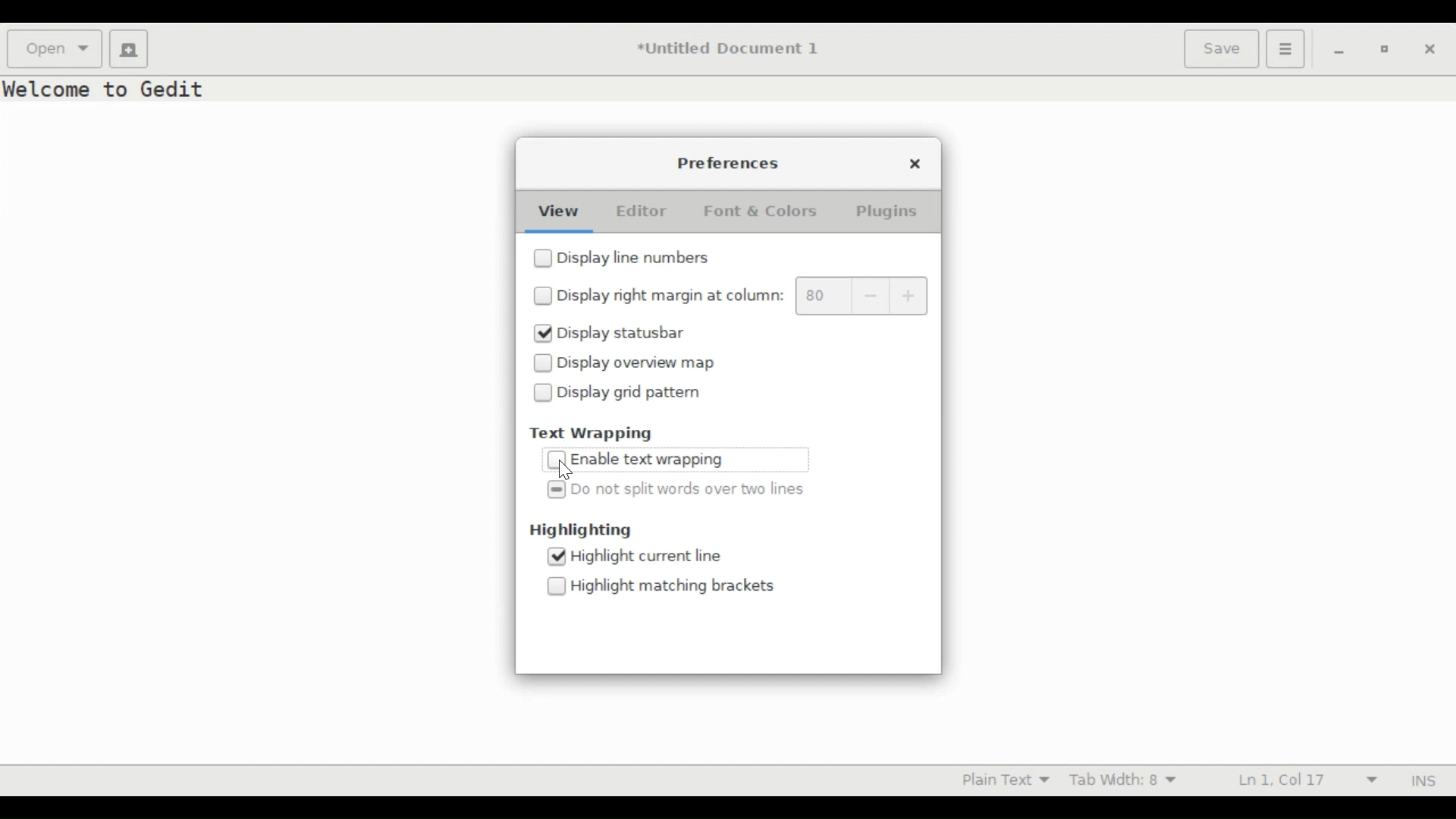  I want to click on Open, so click(55, 48).